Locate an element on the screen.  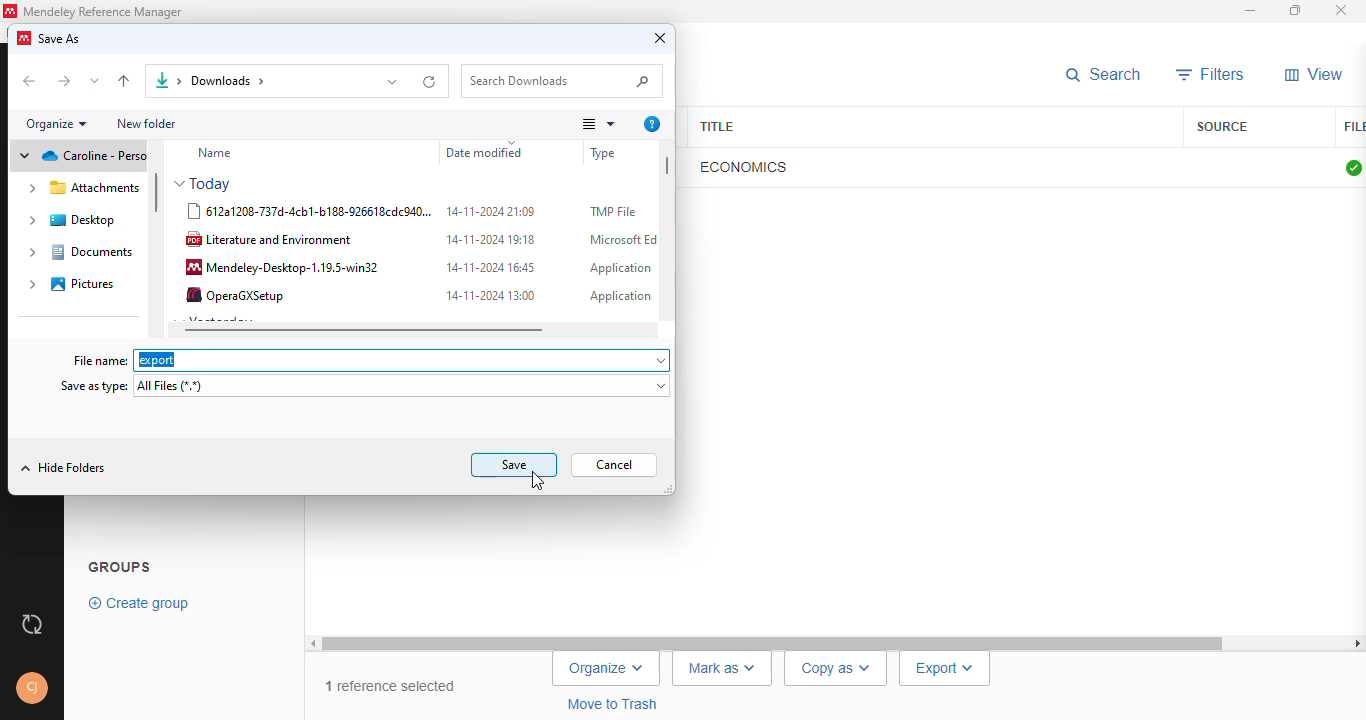
economics is located at coordinates (743, 167).